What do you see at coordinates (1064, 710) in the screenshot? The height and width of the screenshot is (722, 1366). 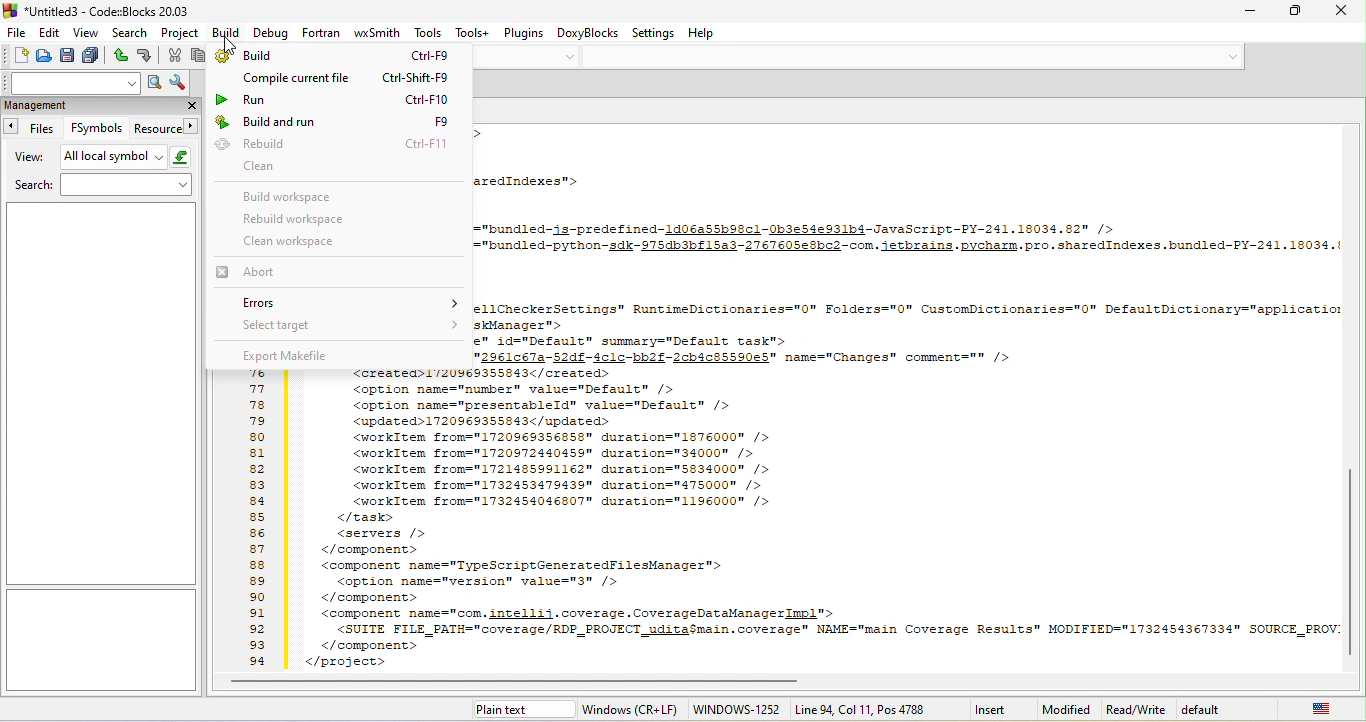 I see `modified` at bounding box center [1064, 710].